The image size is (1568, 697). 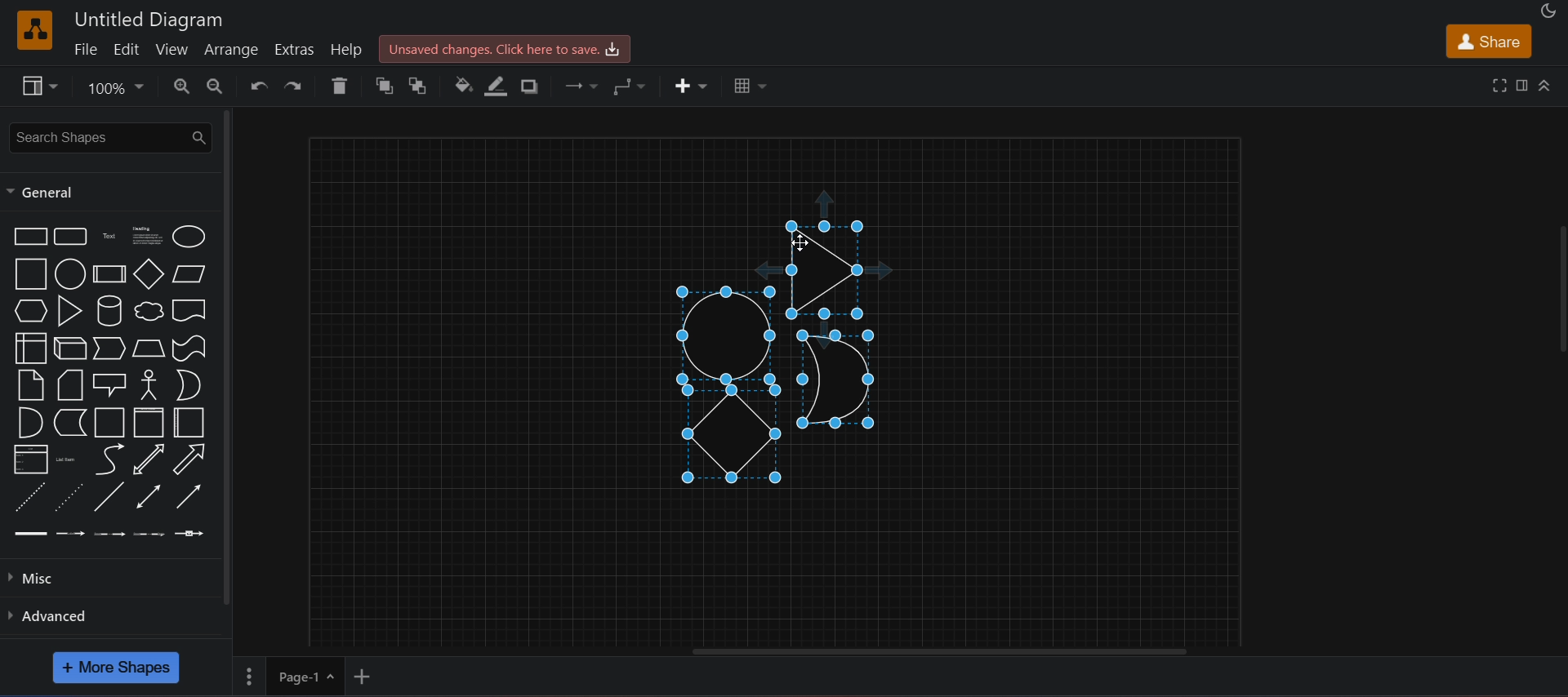 What do you see at coordinates (188, 384) in the screenshot?
I see `or` at bounding box center [188, 384].